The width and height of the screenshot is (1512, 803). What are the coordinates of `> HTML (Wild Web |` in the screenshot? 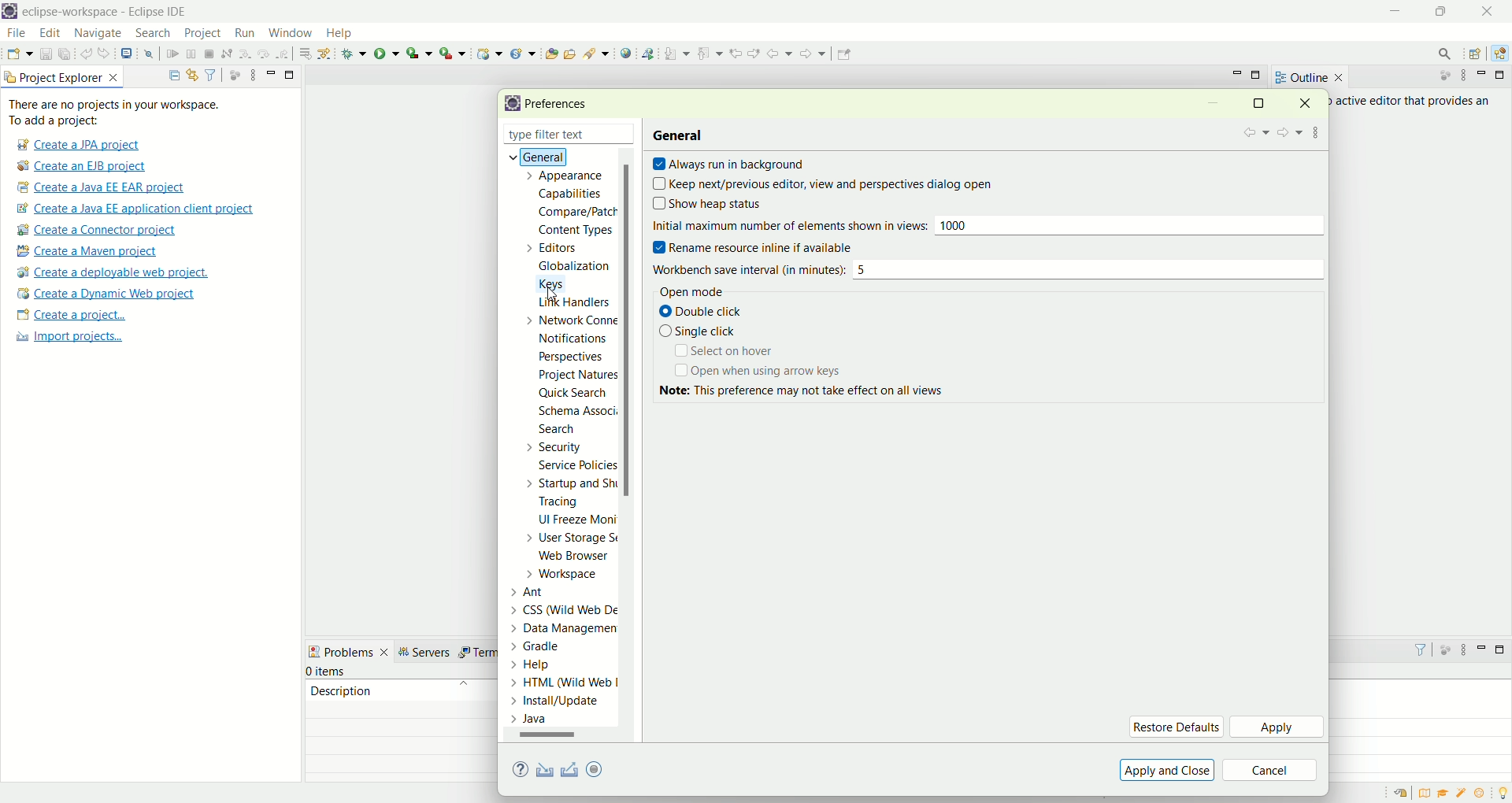 It's located at (565, 683).